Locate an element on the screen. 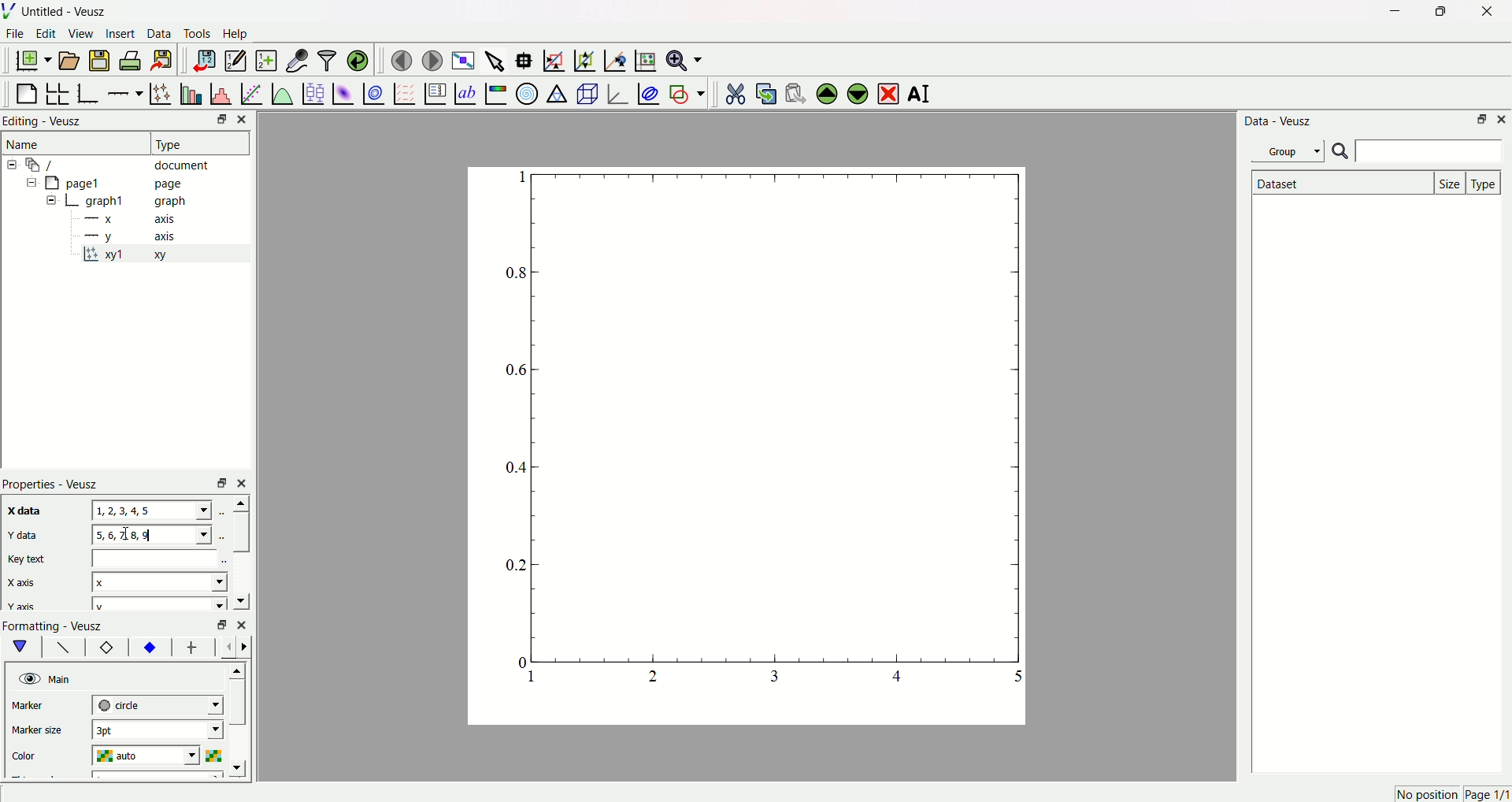 Image resolution: width=1512 pixels, height=802 pixels. Y data is located at coordinates (31, 537).